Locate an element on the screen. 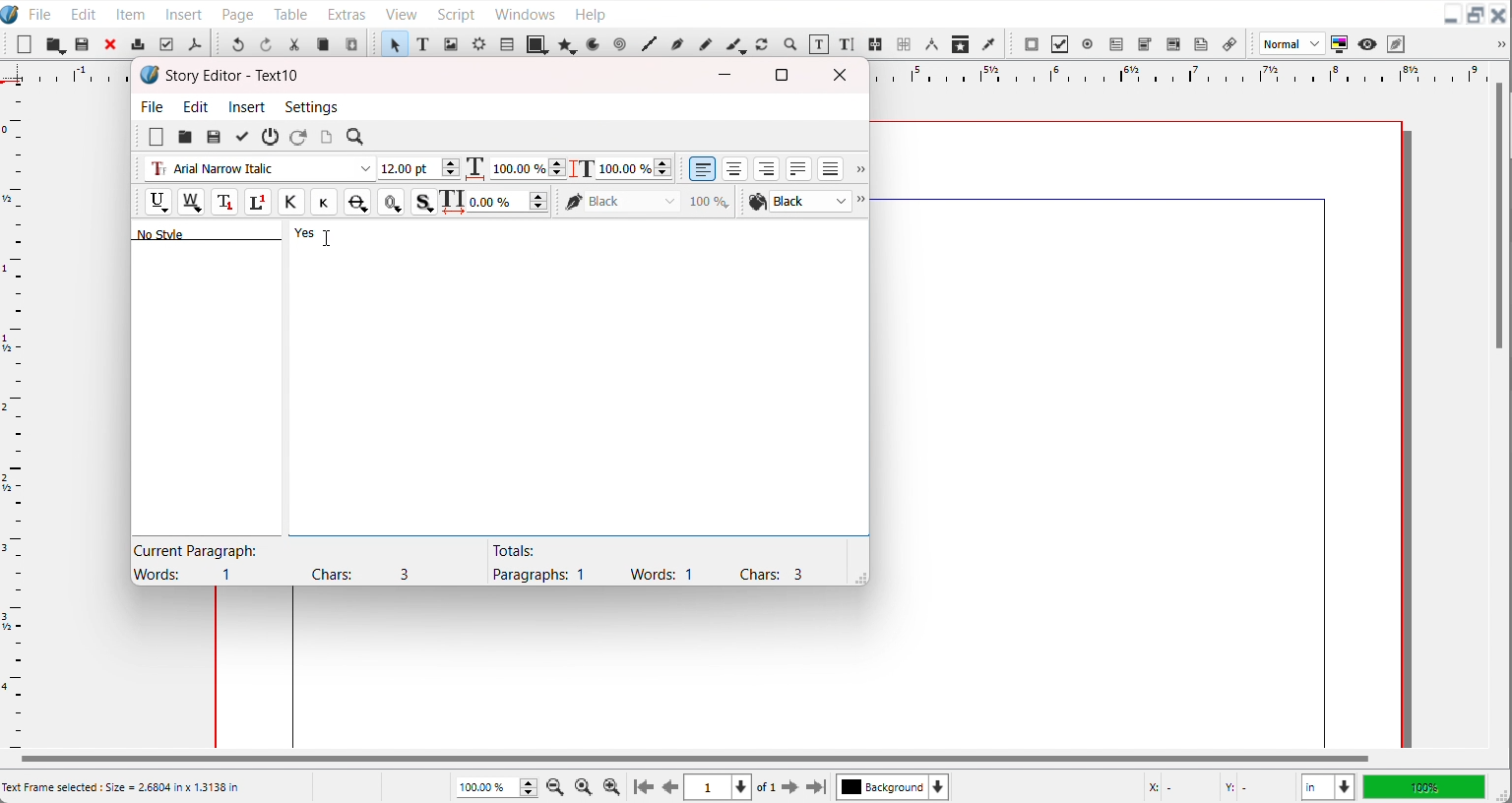  100% is located at coordinates (1423, 786).